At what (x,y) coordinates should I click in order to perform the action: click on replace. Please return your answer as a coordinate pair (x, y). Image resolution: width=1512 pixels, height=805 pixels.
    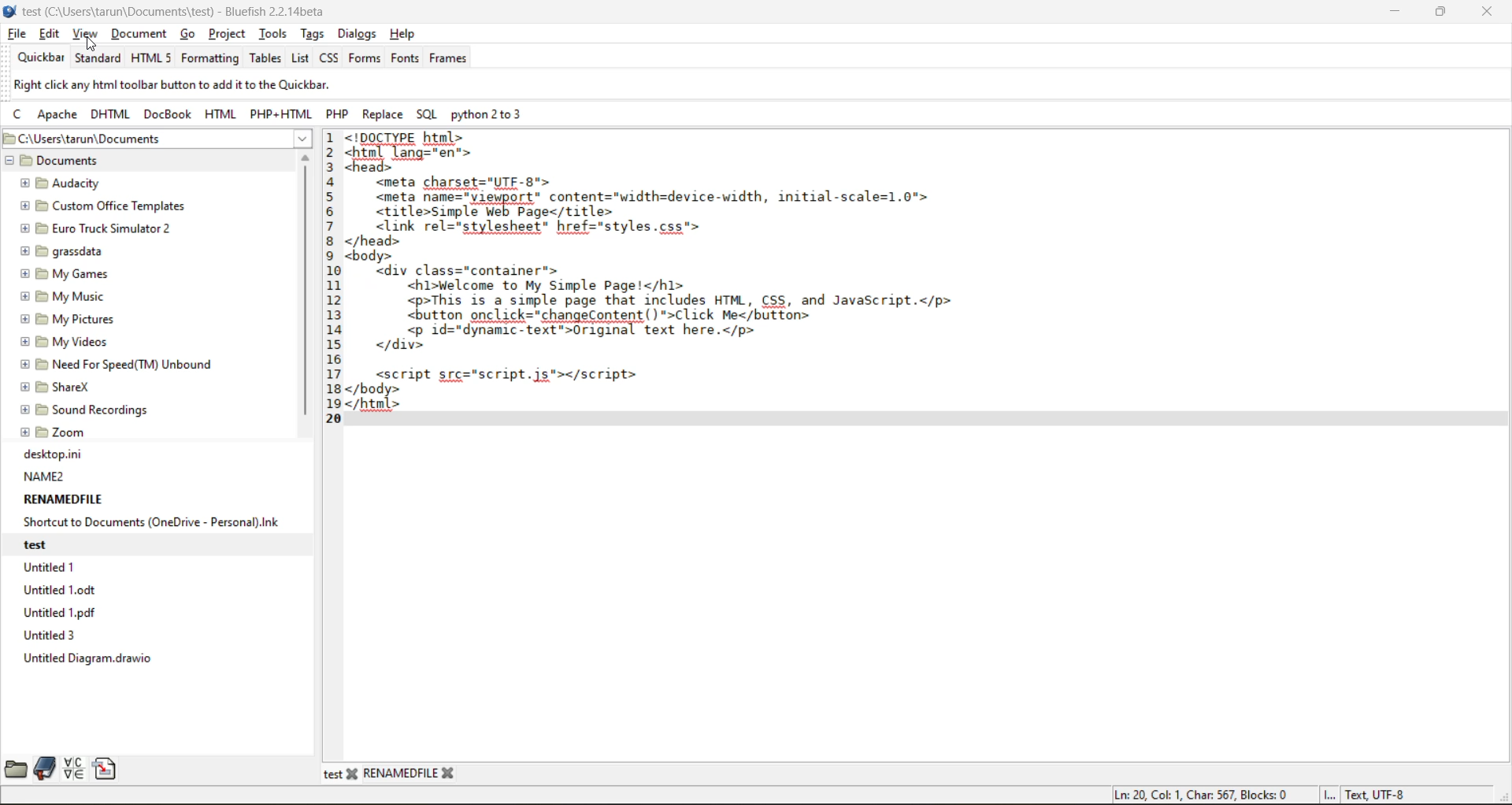
    Looking at the image, I should click on (384, 114).